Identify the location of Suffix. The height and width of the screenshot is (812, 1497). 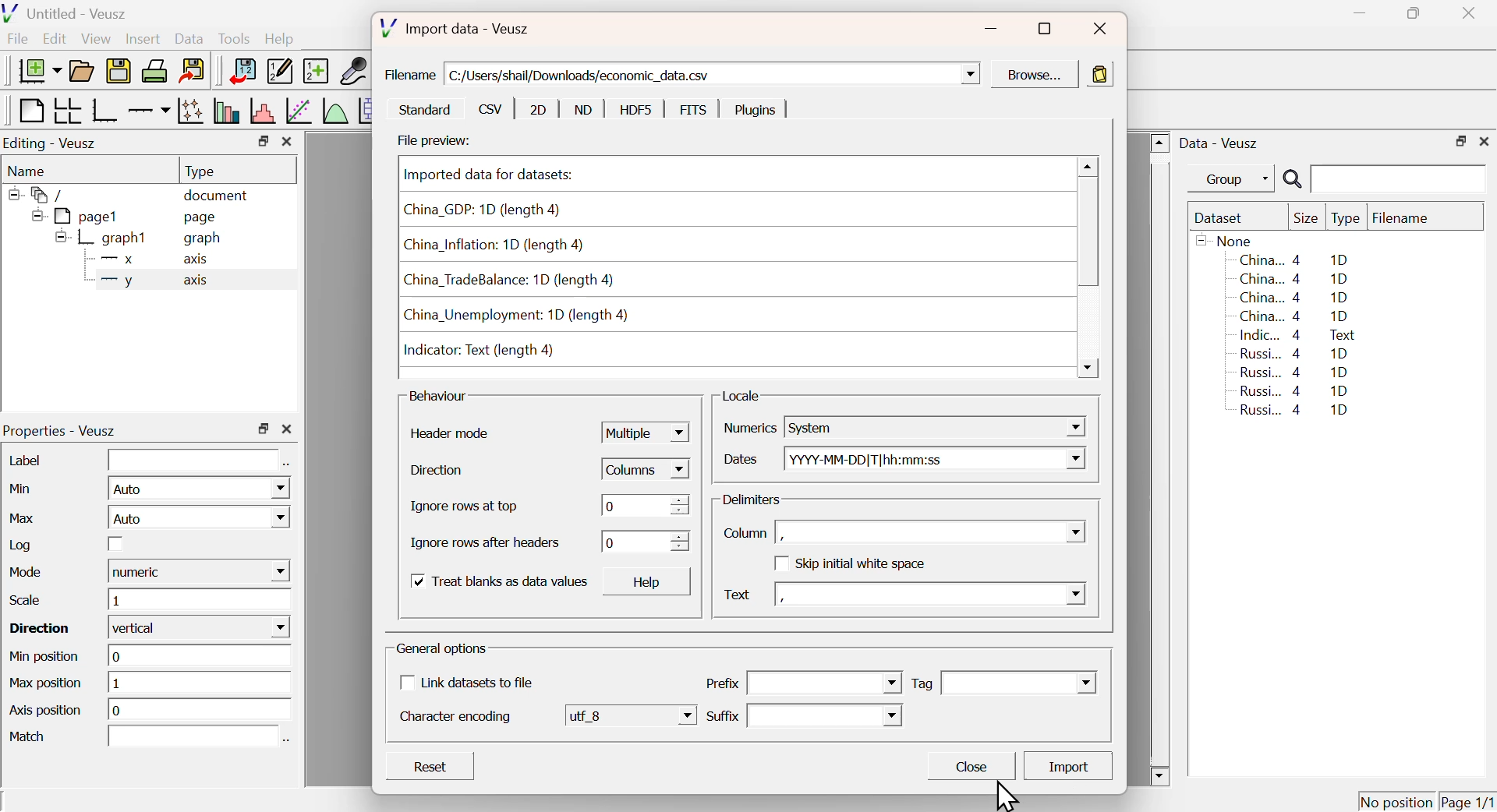
(724, 717).